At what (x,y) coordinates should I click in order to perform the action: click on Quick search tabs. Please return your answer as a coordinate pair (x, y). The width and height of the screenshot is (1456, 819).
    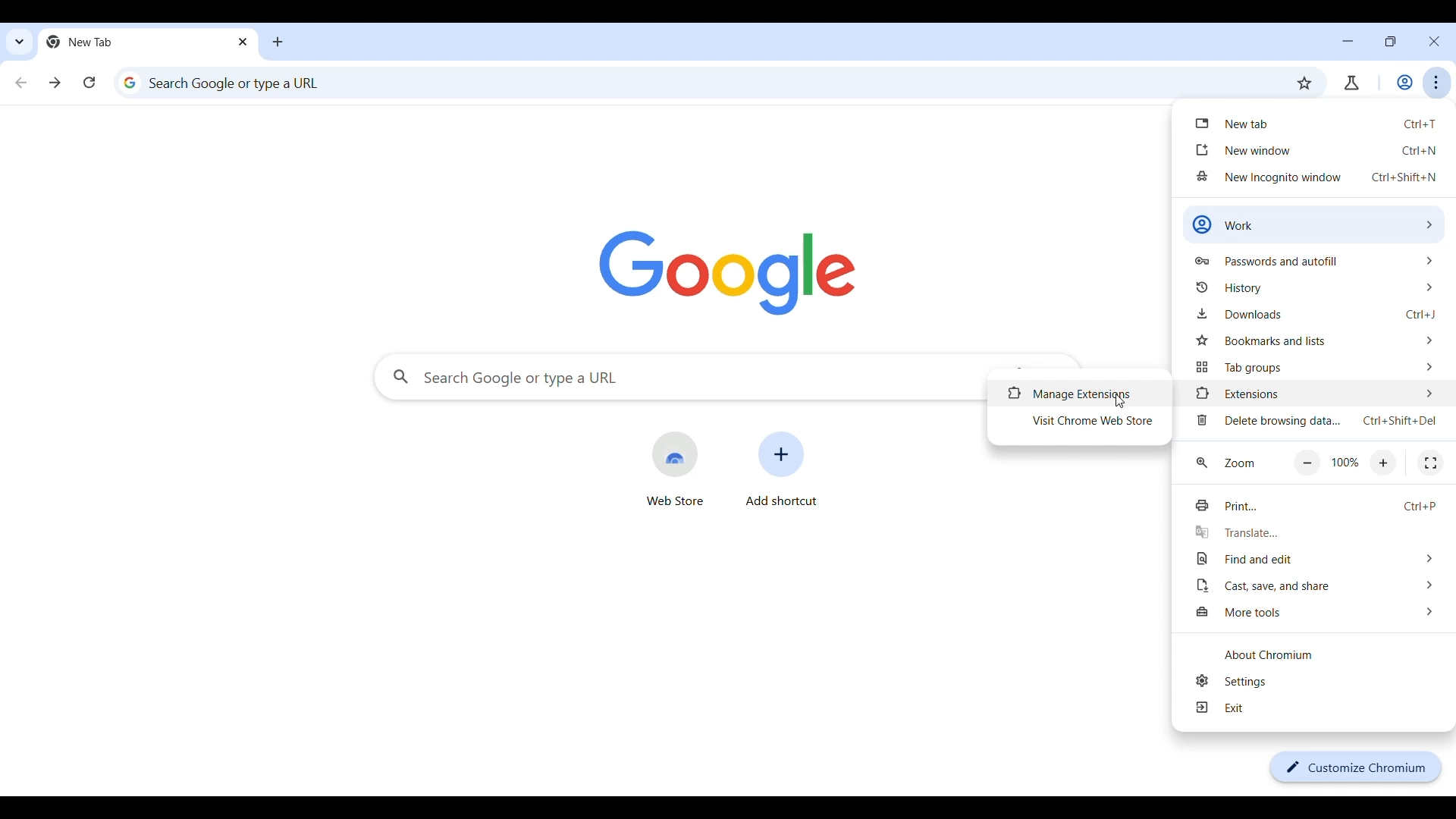
    Looking at the image, I should click on (20, 41).